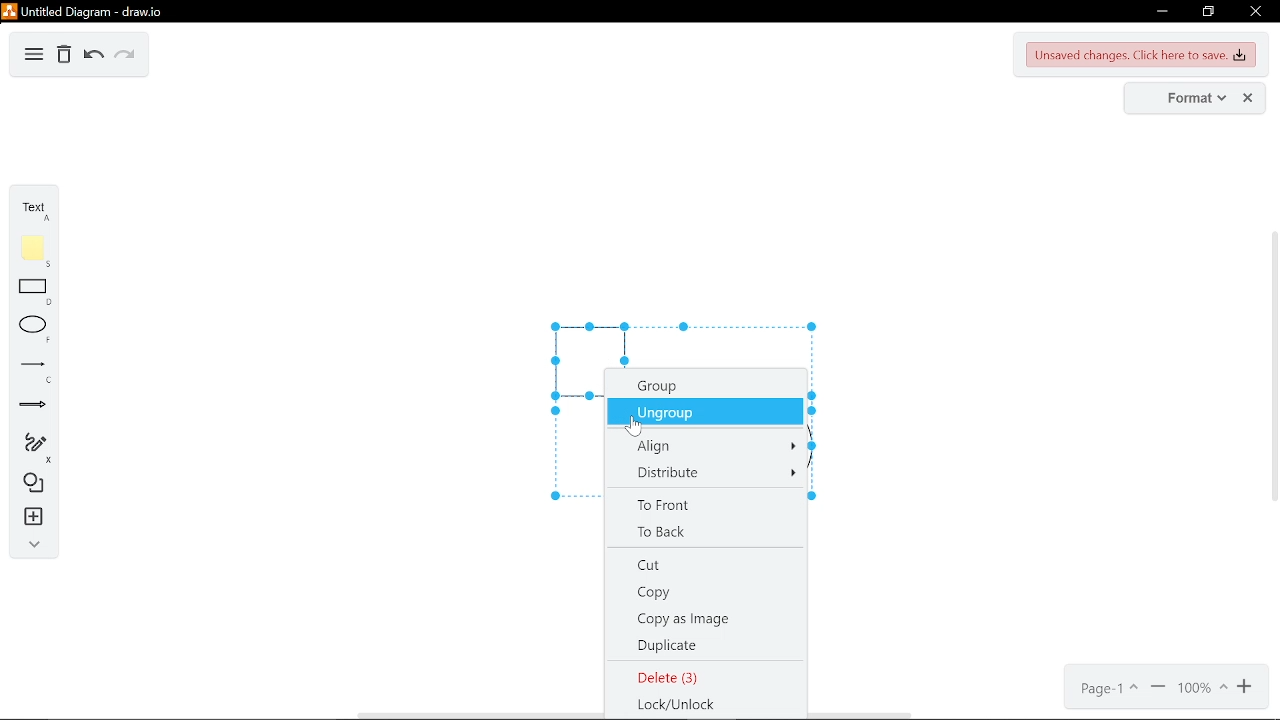 The height and width of the screenshot is (720, 1280). I want to click on undo, so click(92, 57).